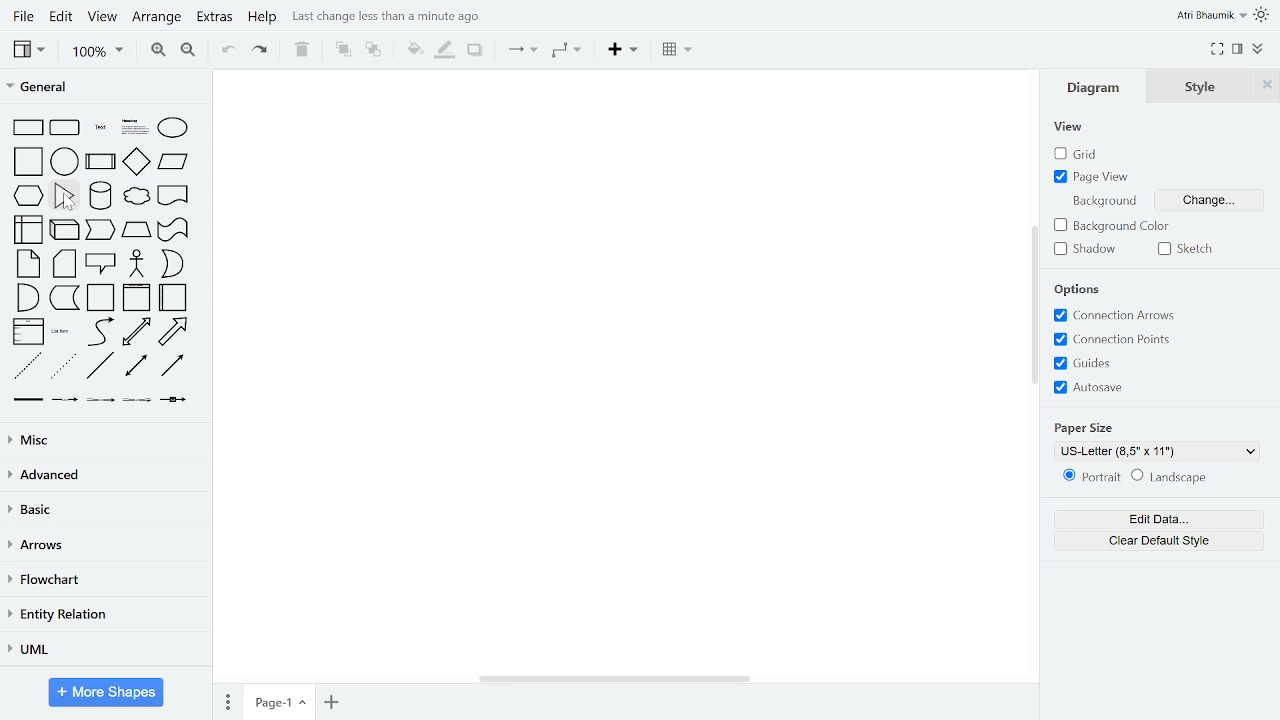 The image size is (1280, 720). What do you see at coordinates (135, 367) in the screenshot?
I see `bidirectional arrow` at bounding box center [135, 367].